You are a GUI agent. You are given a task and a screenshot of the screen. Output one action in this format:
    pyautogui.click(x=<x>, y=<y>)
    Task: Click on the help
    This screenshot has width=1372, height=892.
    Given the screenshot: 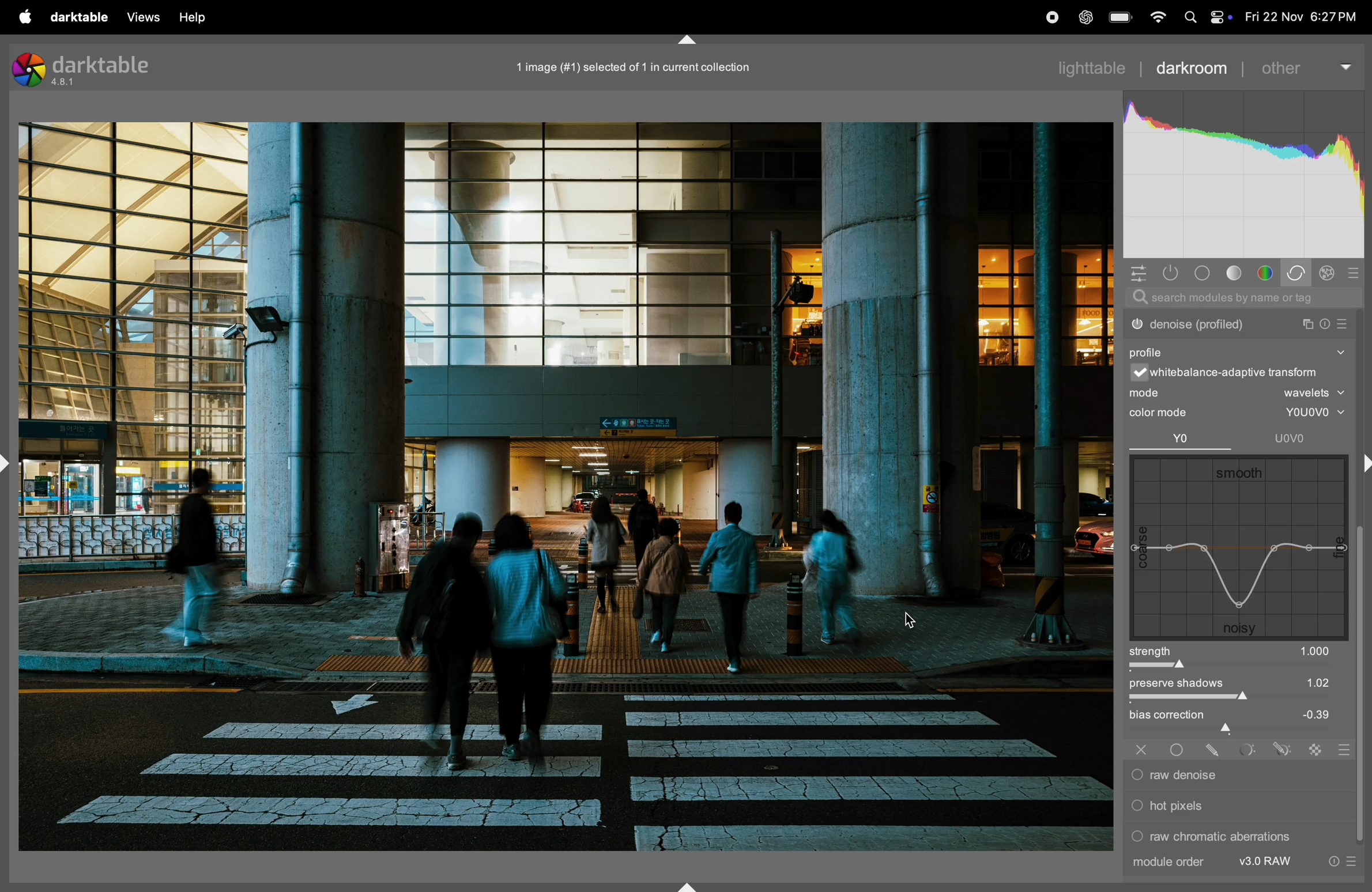 What is the action you would take?
    pyautogui.click(x=198, y=19)
    